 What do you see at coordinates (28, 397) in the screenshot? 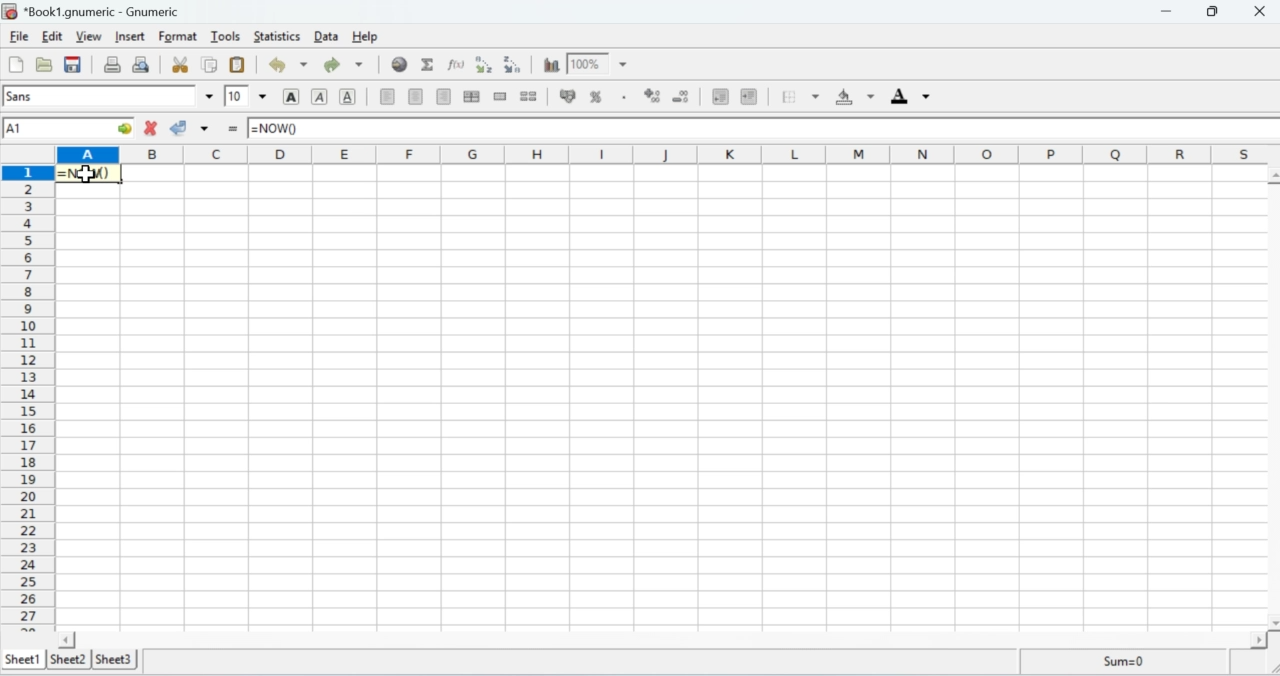
I see `Rows` at bounding box center [28, 397].